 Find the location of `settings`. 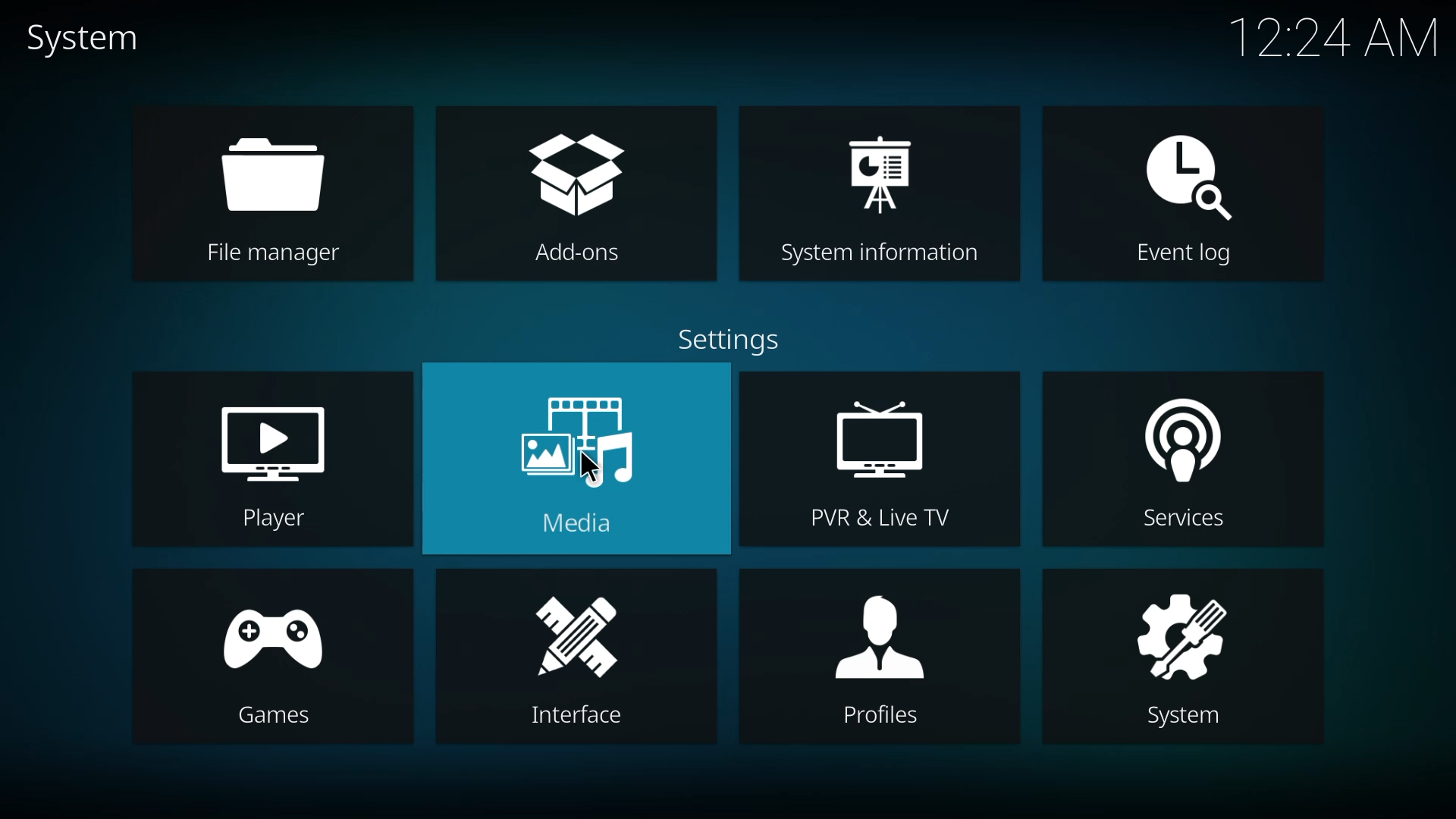

settings is located at coordinates (735, 339).